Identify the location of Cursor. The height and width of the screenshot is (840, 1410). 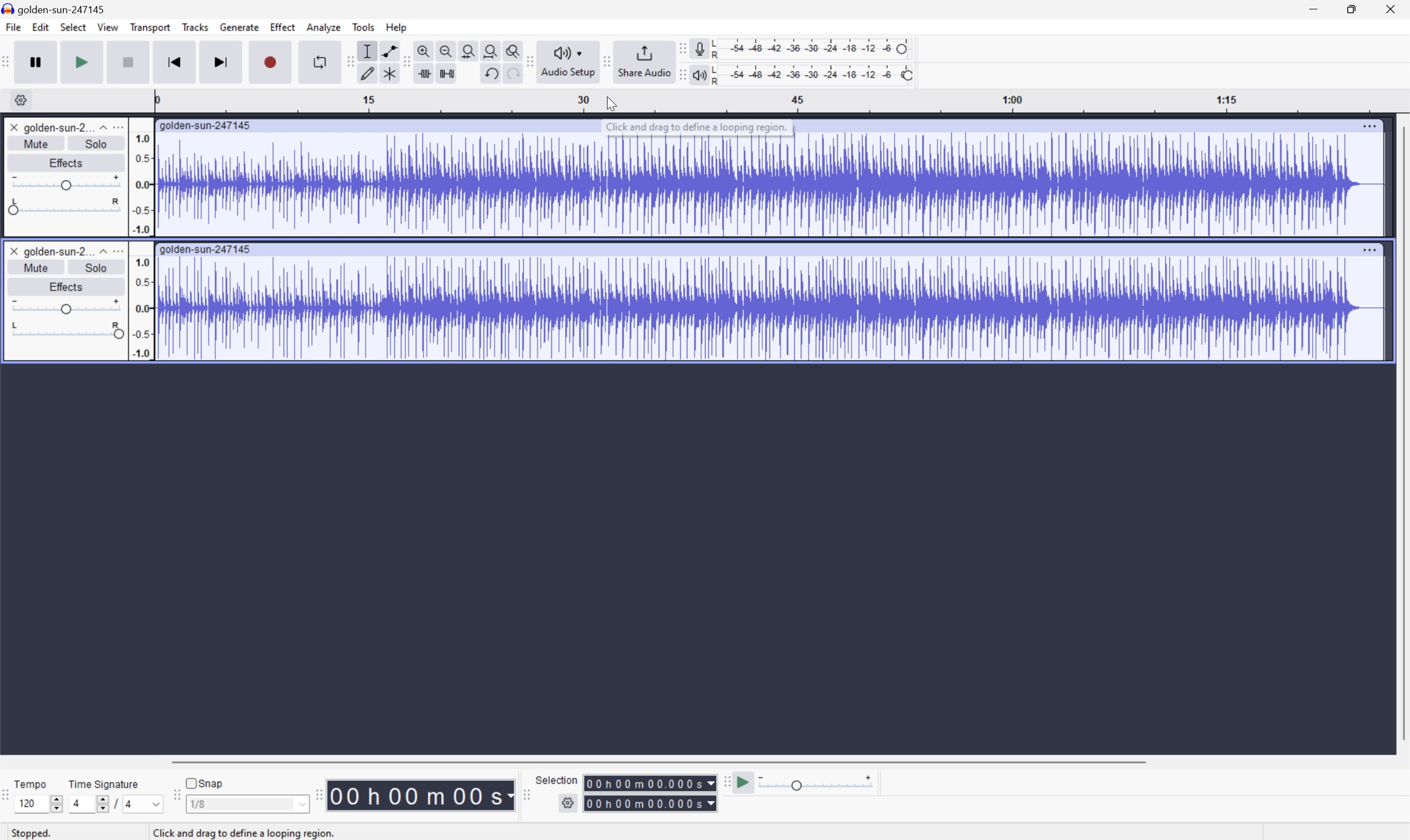
(609, 104).